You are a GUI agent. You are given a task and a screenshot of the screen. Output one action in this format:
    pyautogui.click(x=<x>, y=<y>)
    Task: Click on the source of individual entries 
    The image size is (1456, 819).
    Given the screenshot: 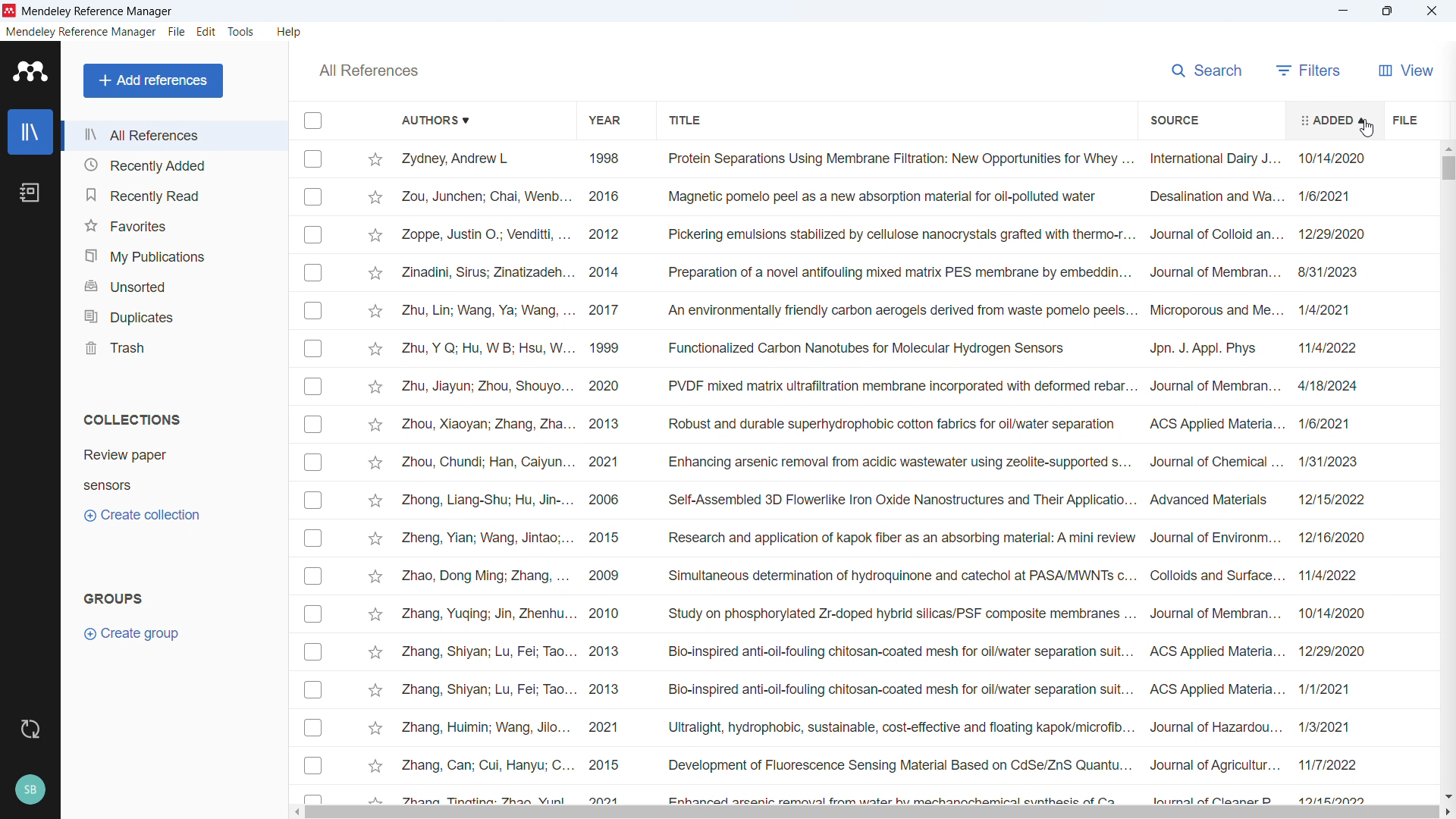 What is the action you would take?
    pyautogui.click(x=1213, y=477)
    